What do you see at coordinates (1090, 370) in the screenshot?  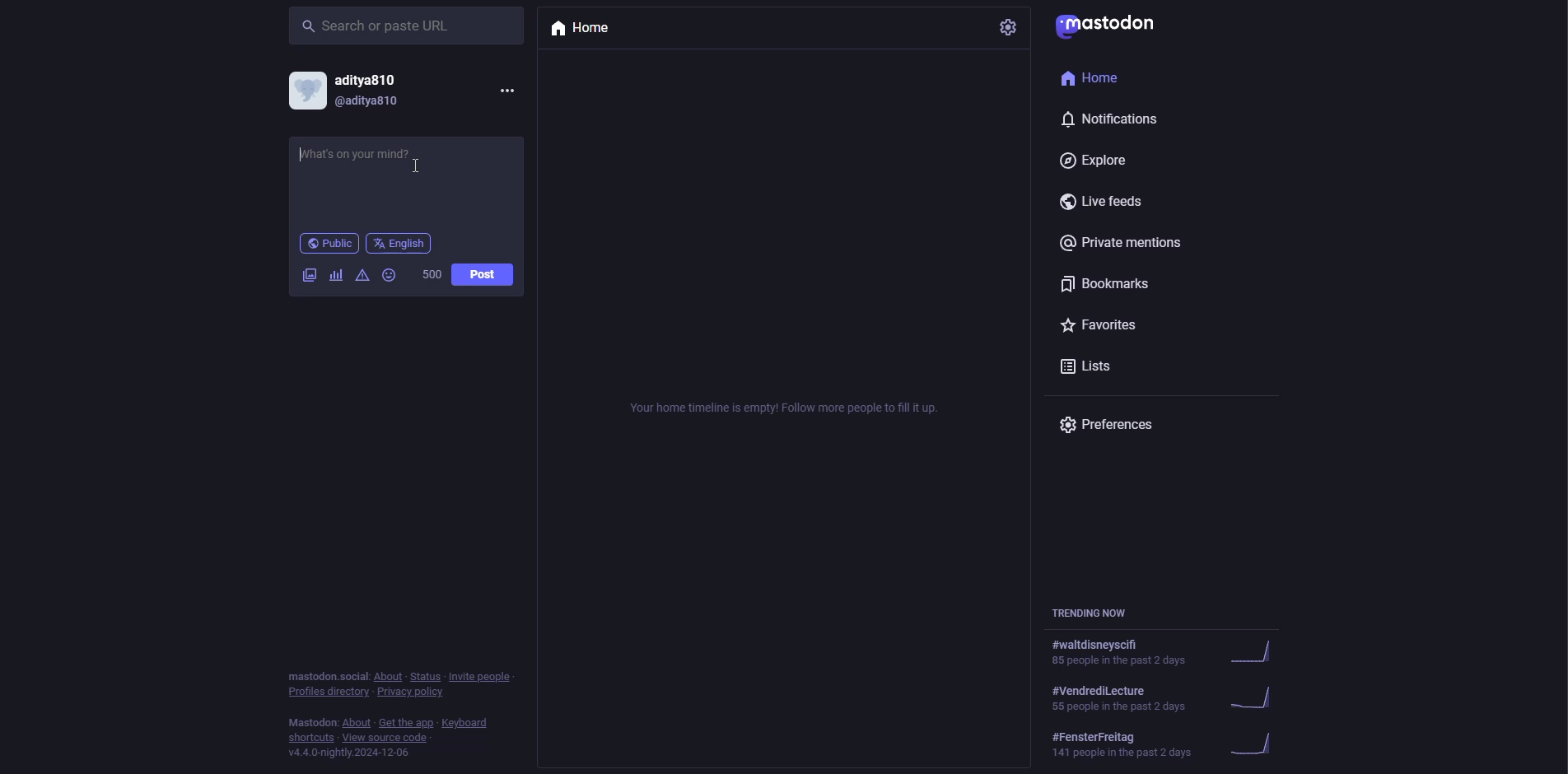 I see `lists` at bounding box center [1090, 370].